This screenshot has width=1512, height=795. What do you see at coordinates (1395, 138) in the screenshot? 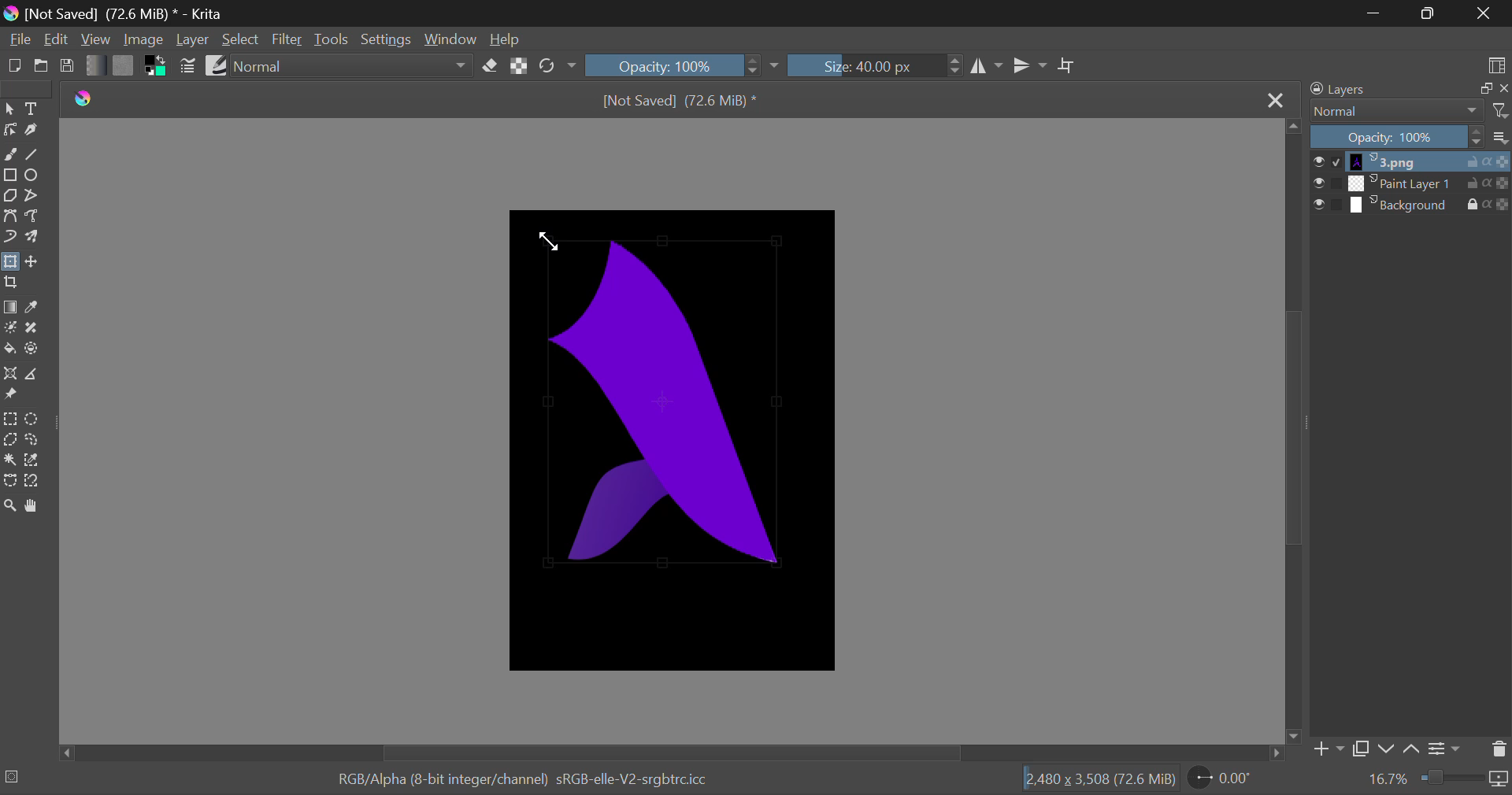
I see `Opacity` at bounding box center [1395, 138].